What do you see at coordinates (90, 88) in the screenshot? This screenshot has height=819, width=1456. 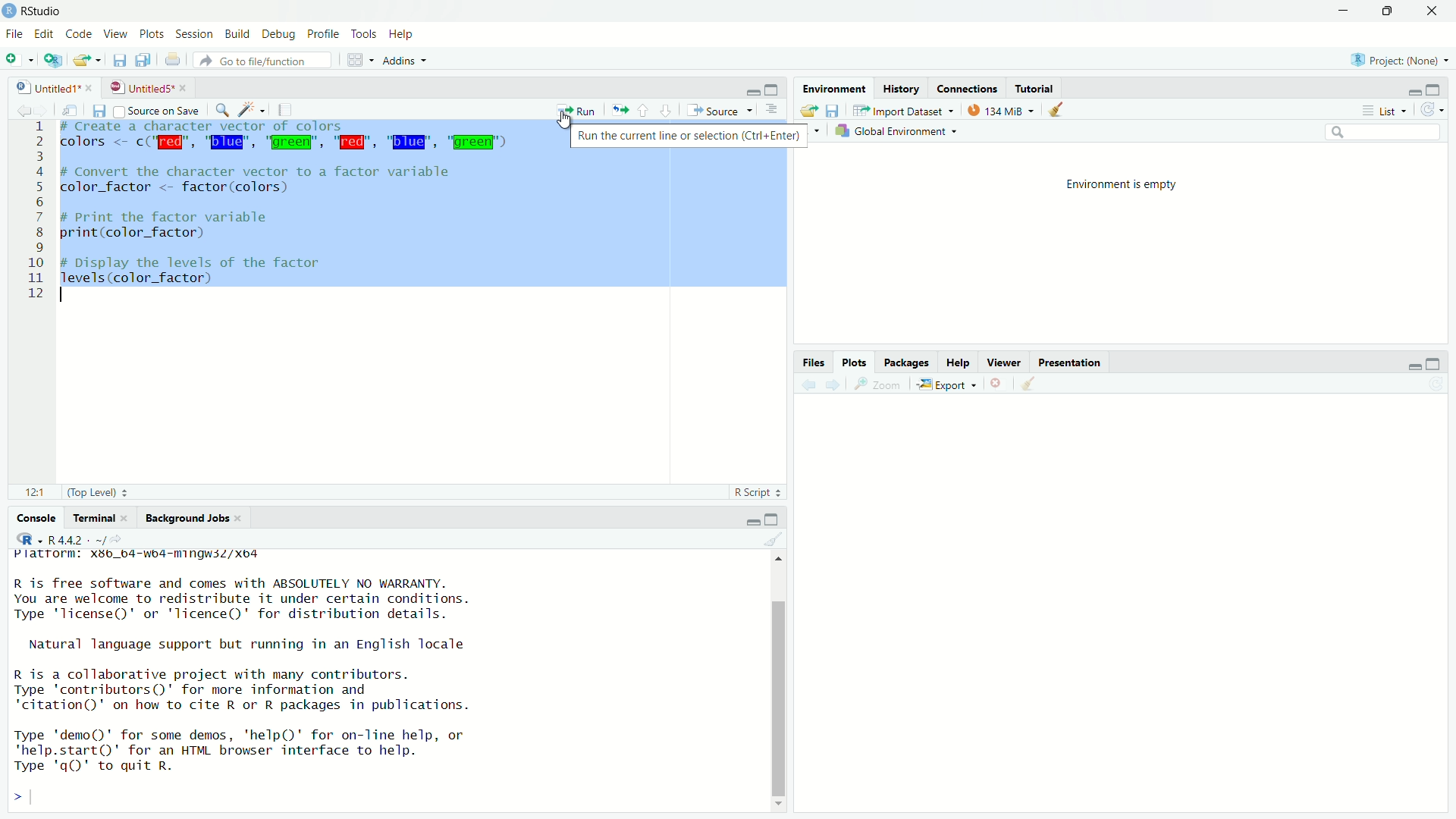 I see `close` at bounding box center [90, 88].